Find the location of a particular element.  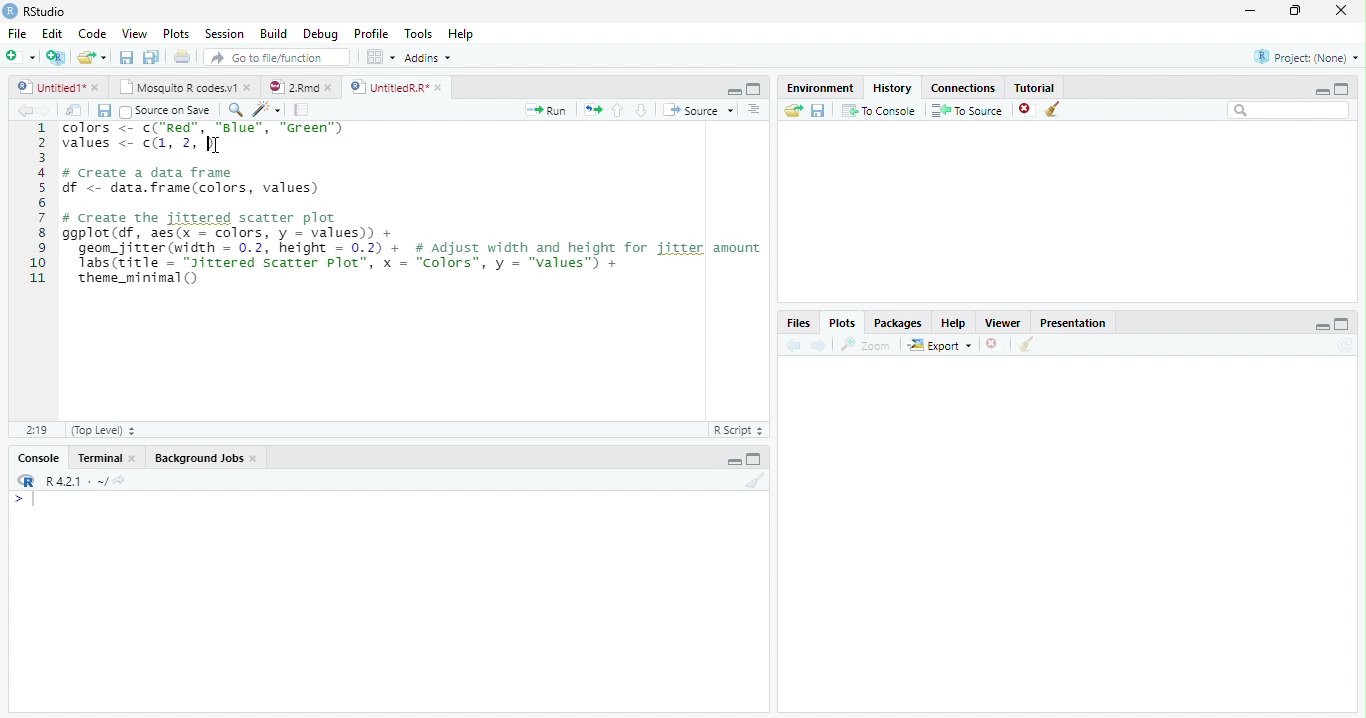

Connections is located at coordinates (963, 88).